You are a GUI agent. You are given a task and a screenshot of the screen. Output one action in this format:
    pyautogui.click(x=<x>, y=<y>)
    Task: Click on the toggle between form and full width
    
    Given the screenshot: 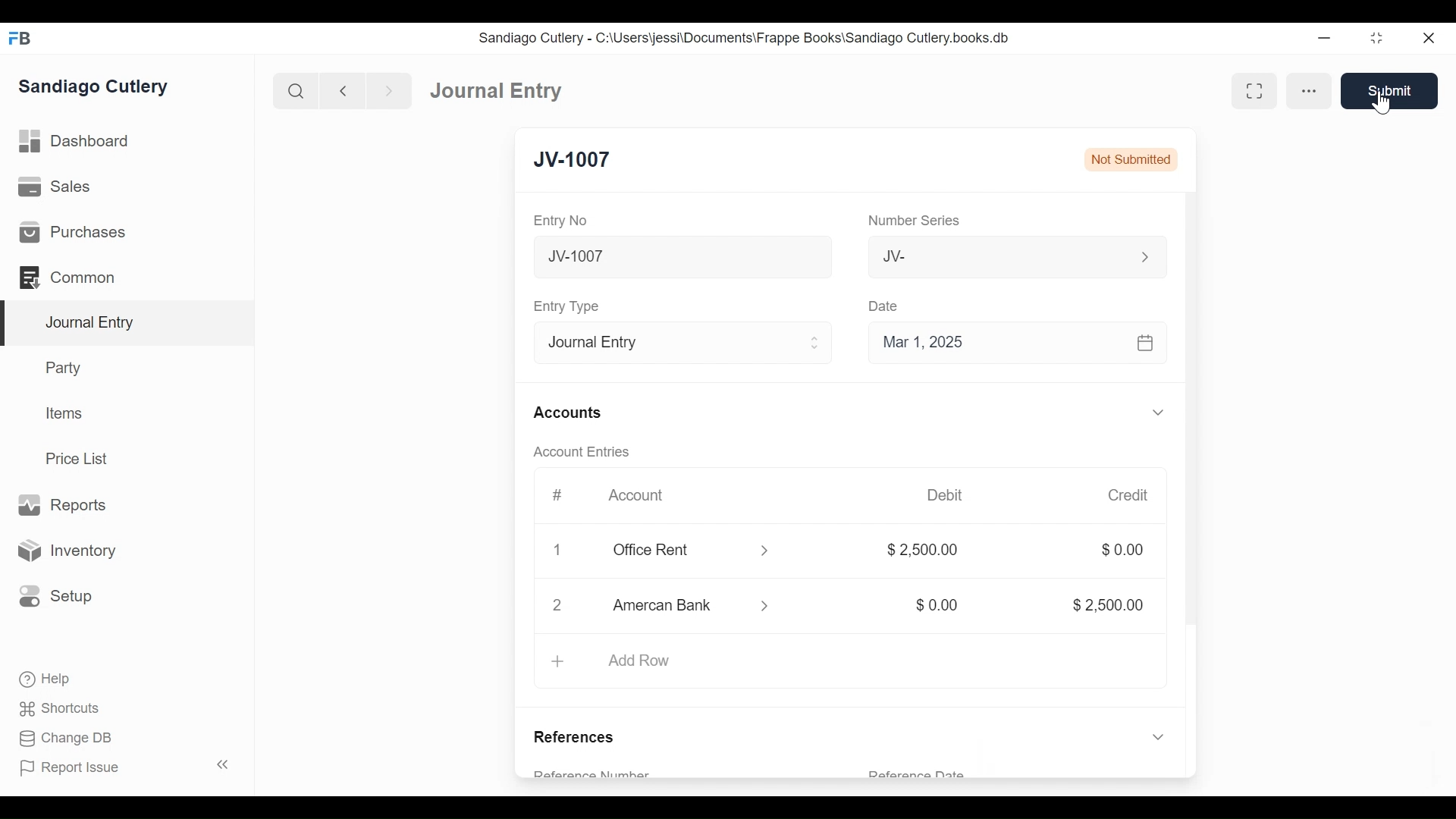 What is the action you would take?
    pyautogui.click(x=1253, y=92)
    